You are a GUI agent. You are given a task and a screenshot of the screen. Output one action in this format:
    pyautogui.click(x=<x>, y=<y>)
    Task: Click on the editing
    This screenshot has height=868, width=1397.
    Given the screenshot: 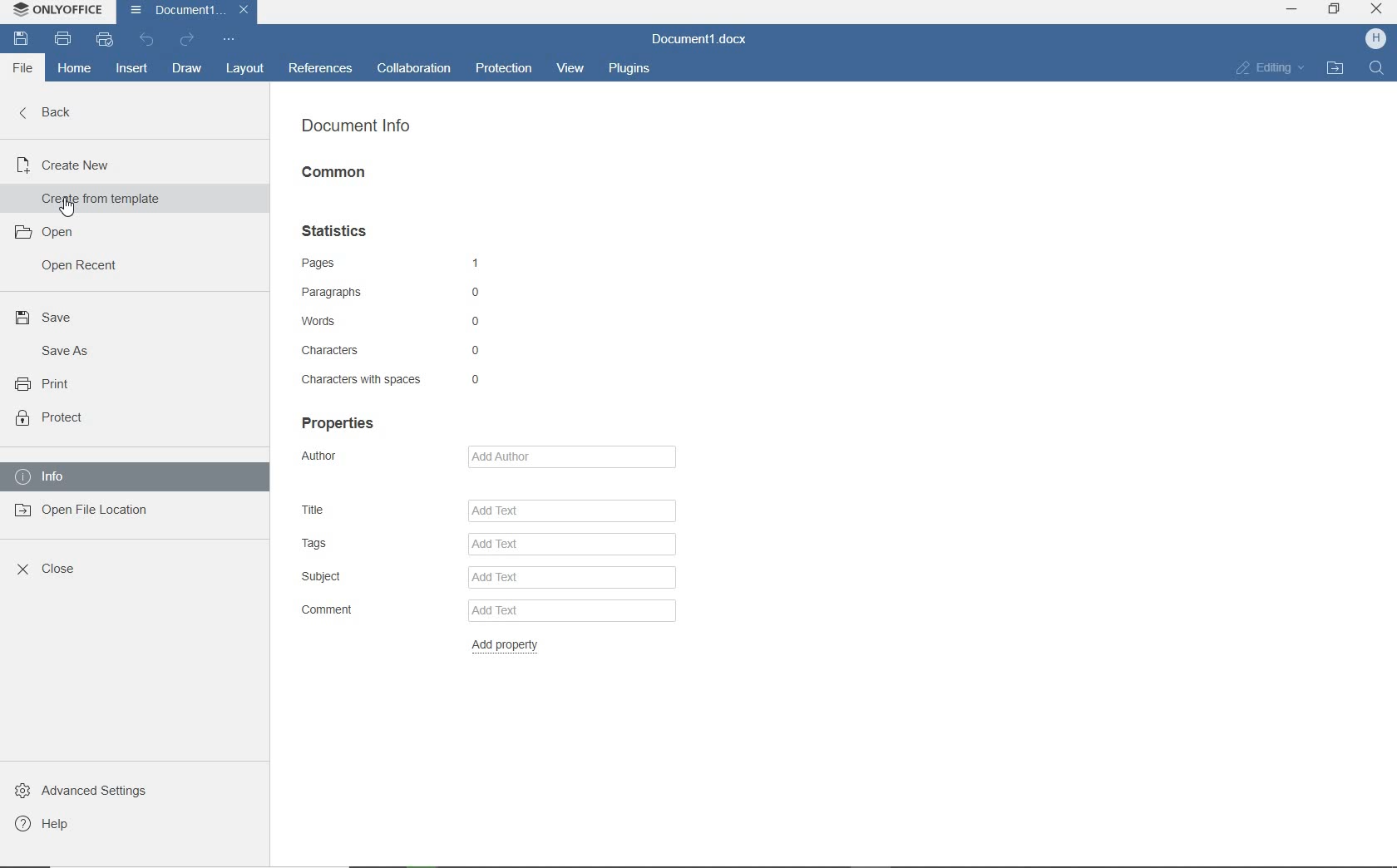 What is the action you would take?
    pyautogui.click(x=1269, y=67)
    